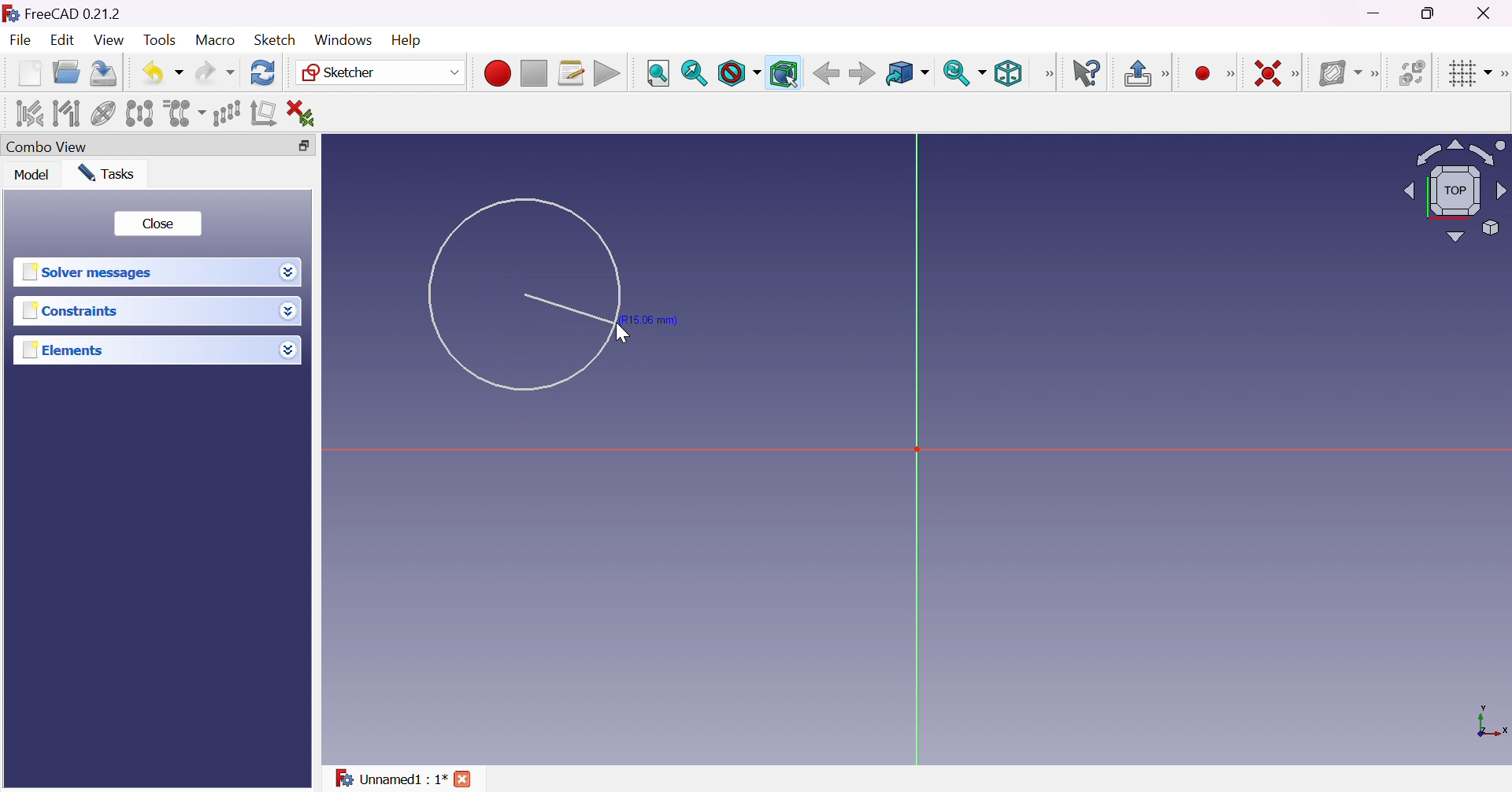 The image size is (1512, 792). Describe the element at coordinates (862, 75) in the screenshot. I see `Forward` at that location.